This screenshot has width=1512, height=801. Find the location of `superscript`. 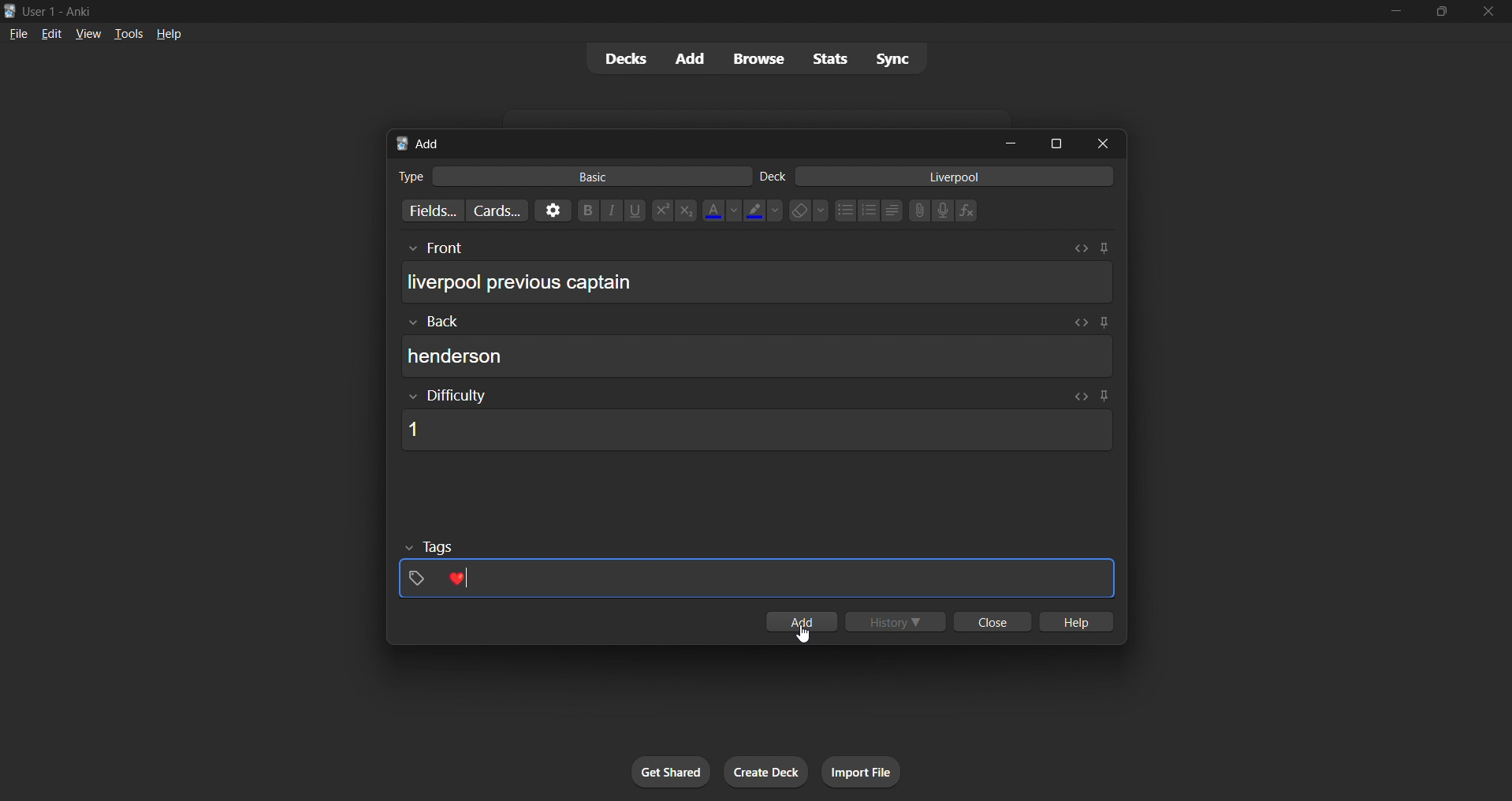

superscript is located at coordinates (661, 211).